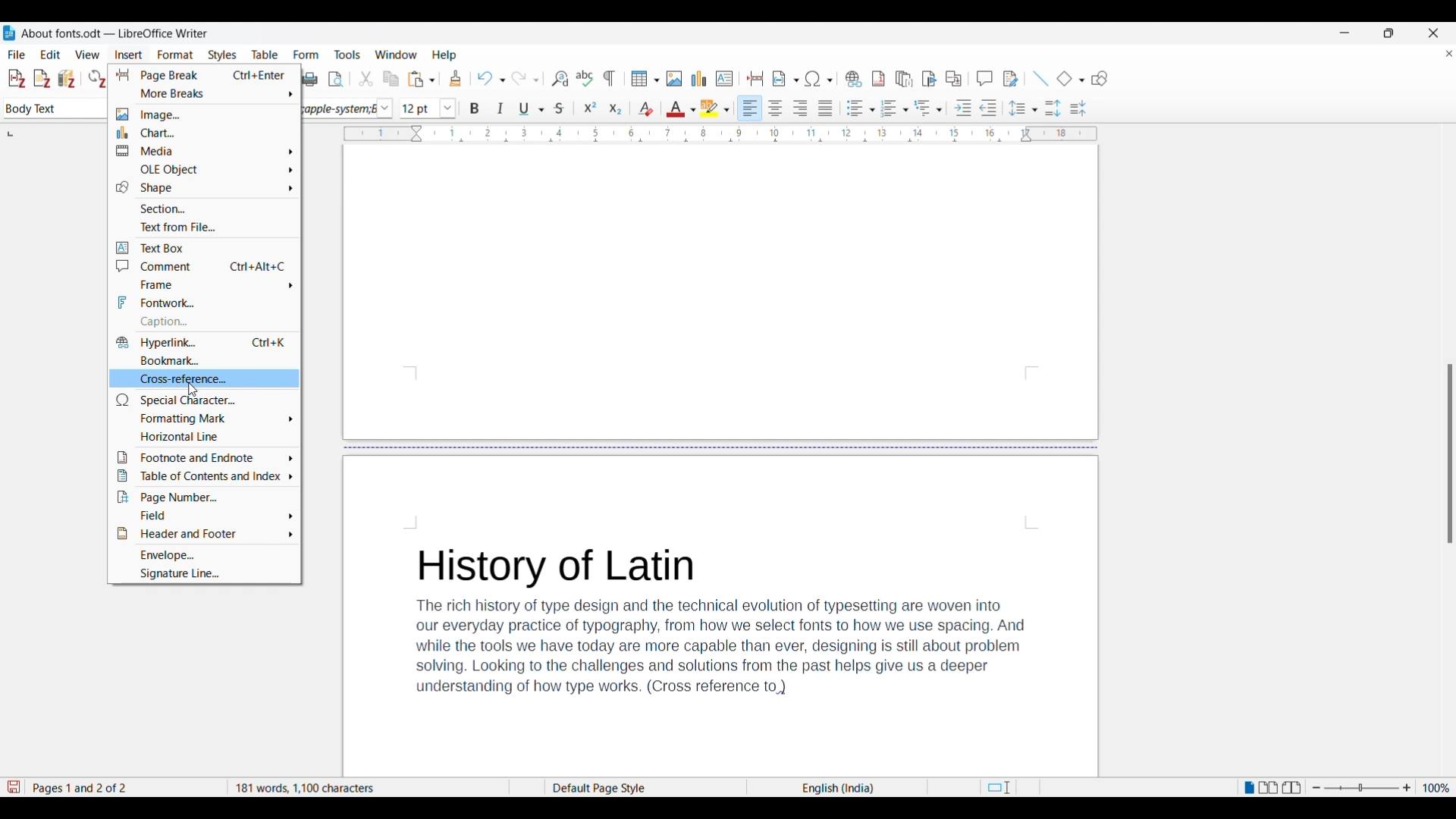  Describe the element at coordinates (204, 534) in the screenshot. I see `Header and footer options` at that location.